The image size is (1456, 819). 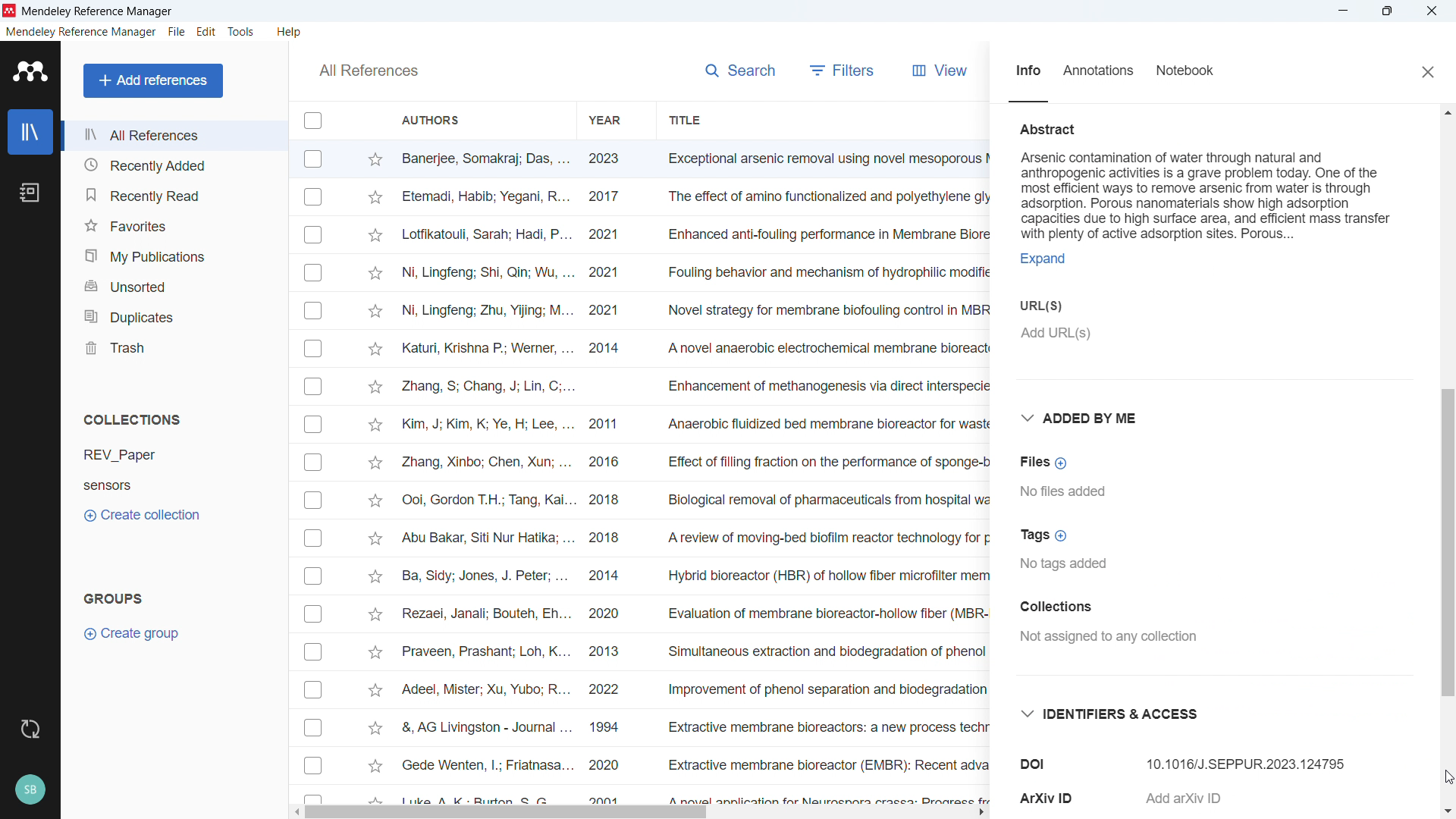 What do you see at coordinates (1052, 127) in the screenshot?
I see `abstract` at bounding box center [1052, 127].